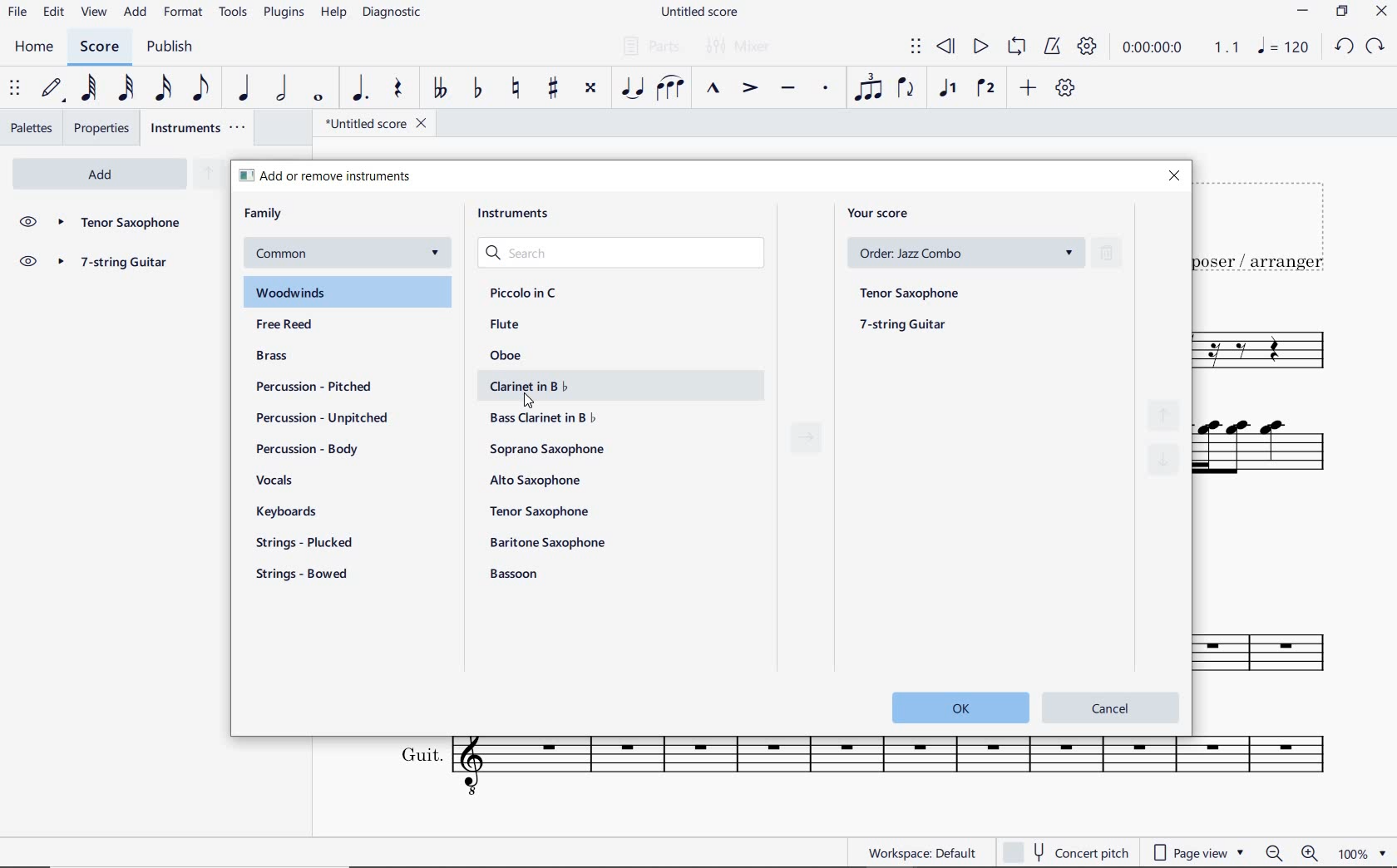 The width and height of the screenshot is (1397, 868). I want to click on bass clarinet in b, so click(545, 417).